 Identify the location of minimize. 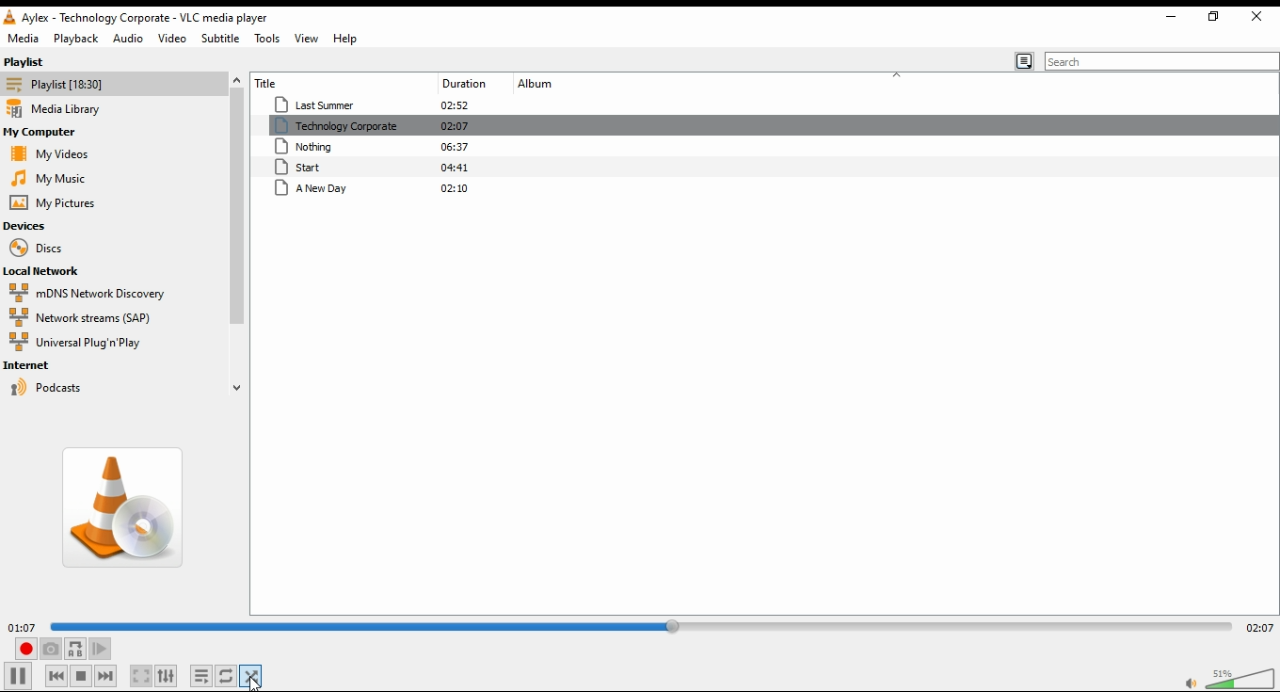
(1214, 18).